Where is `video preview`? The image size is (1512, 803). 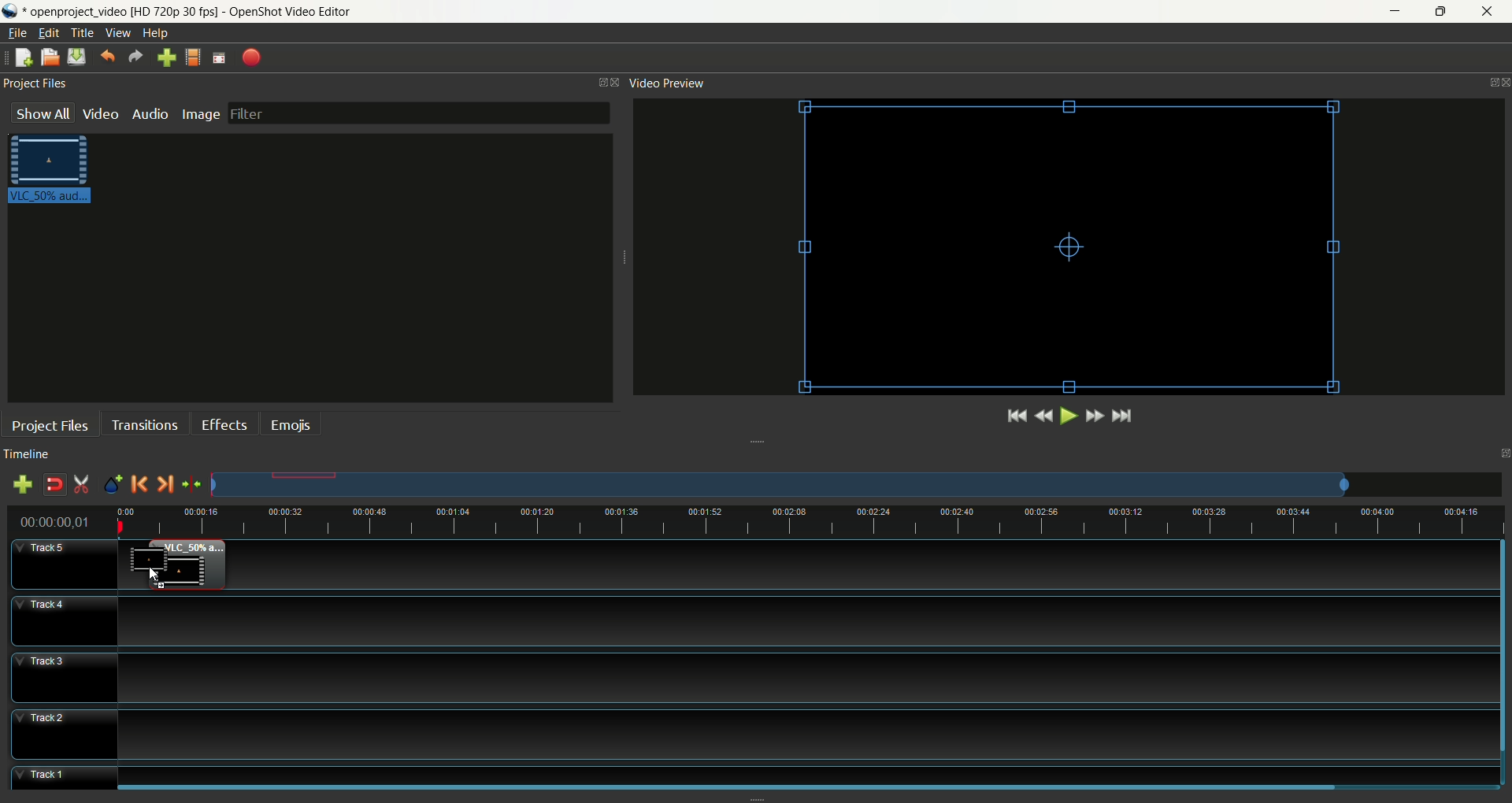
video preview is located at coordinates (665, 83).